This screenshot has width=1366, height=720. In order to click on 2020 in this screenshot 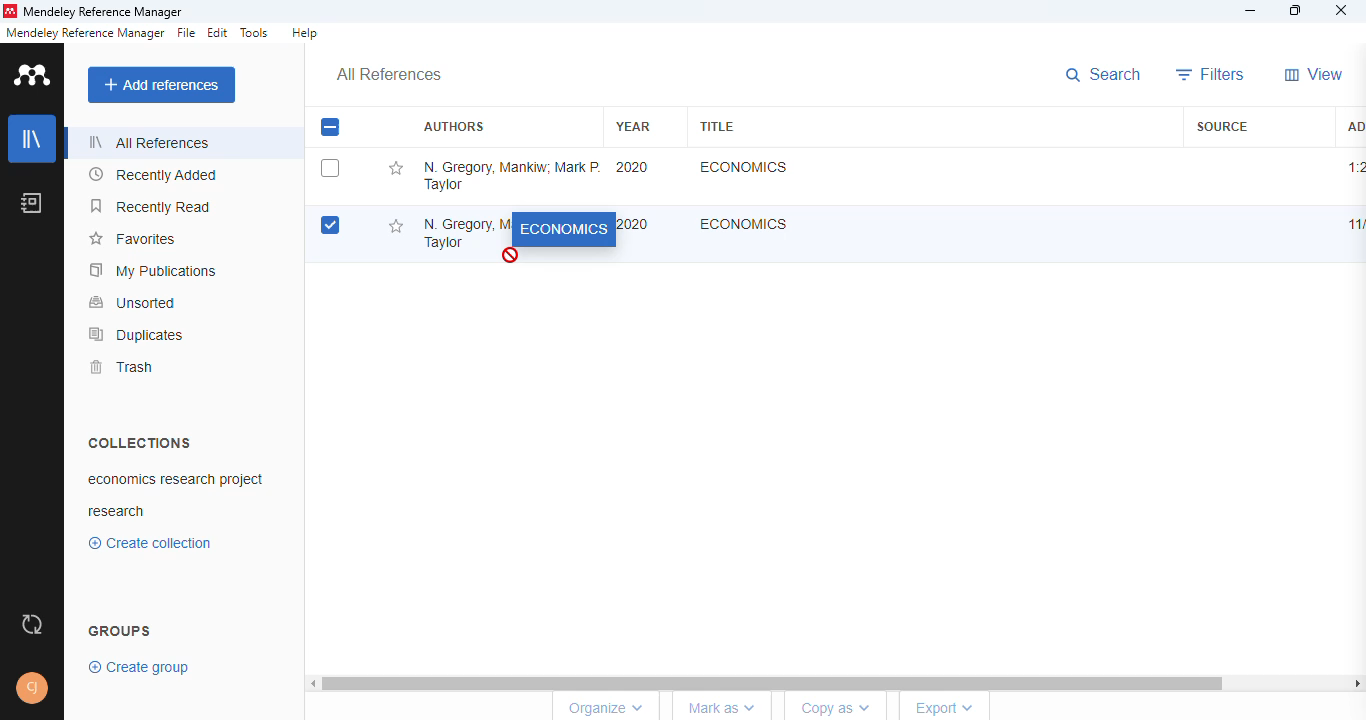, I will do `click(632, 224)`.